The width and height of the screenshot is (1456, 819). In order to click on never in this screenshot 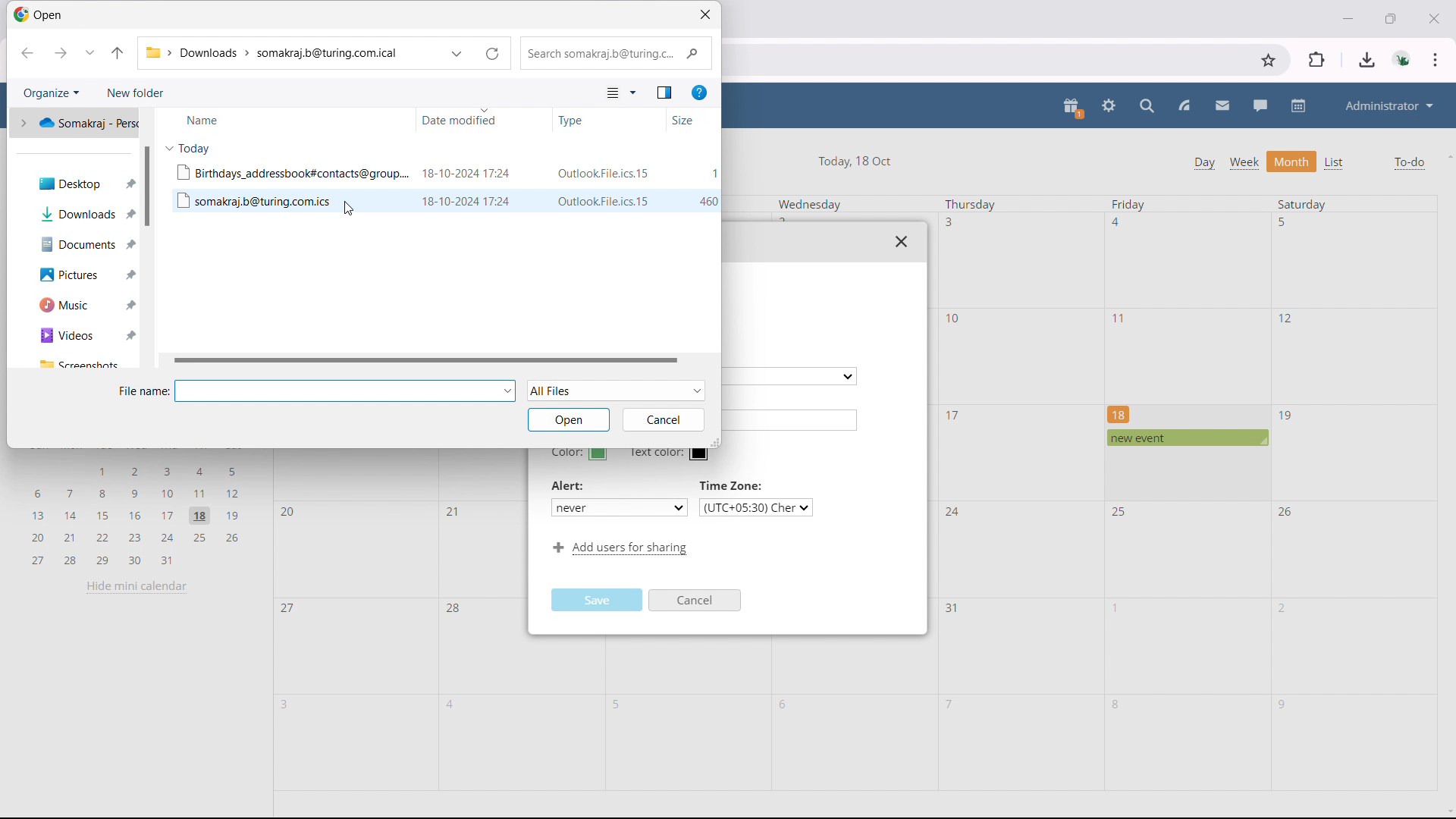, I will do `click(618, 507)`.